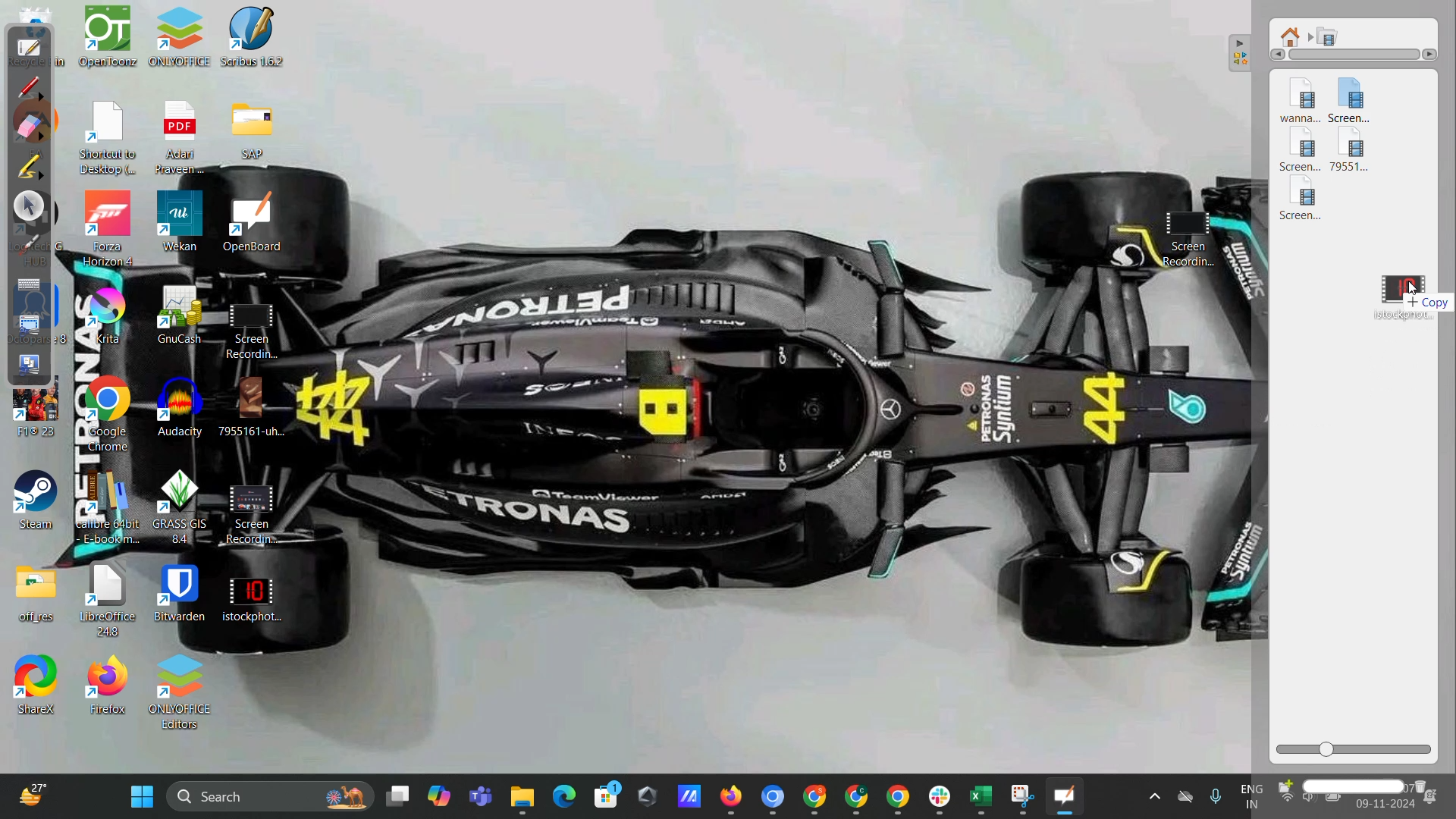 The height and width of the screenshot is (819, 1456). What do you see at coordinates (254, 406) in the screenshot?
I see `7955161-uh` at bounding box center [254, 406].